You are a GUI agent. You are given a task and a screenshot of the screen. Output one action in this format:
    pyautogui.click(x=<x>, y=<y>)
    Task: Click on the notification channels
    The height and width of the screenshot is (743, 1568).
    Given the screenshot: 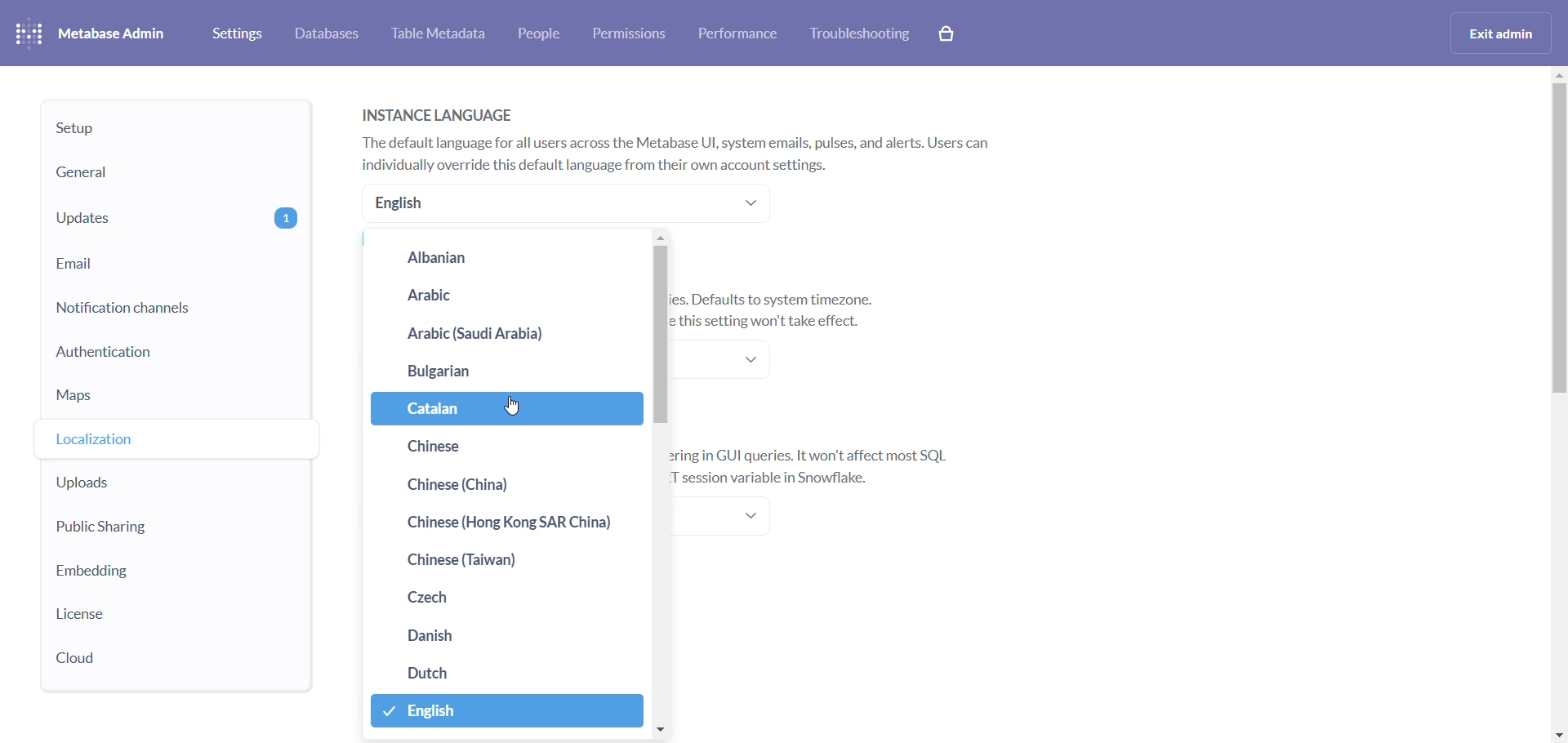 What is the action you would take?
    pyautogui.click(x=170, y=309)
    